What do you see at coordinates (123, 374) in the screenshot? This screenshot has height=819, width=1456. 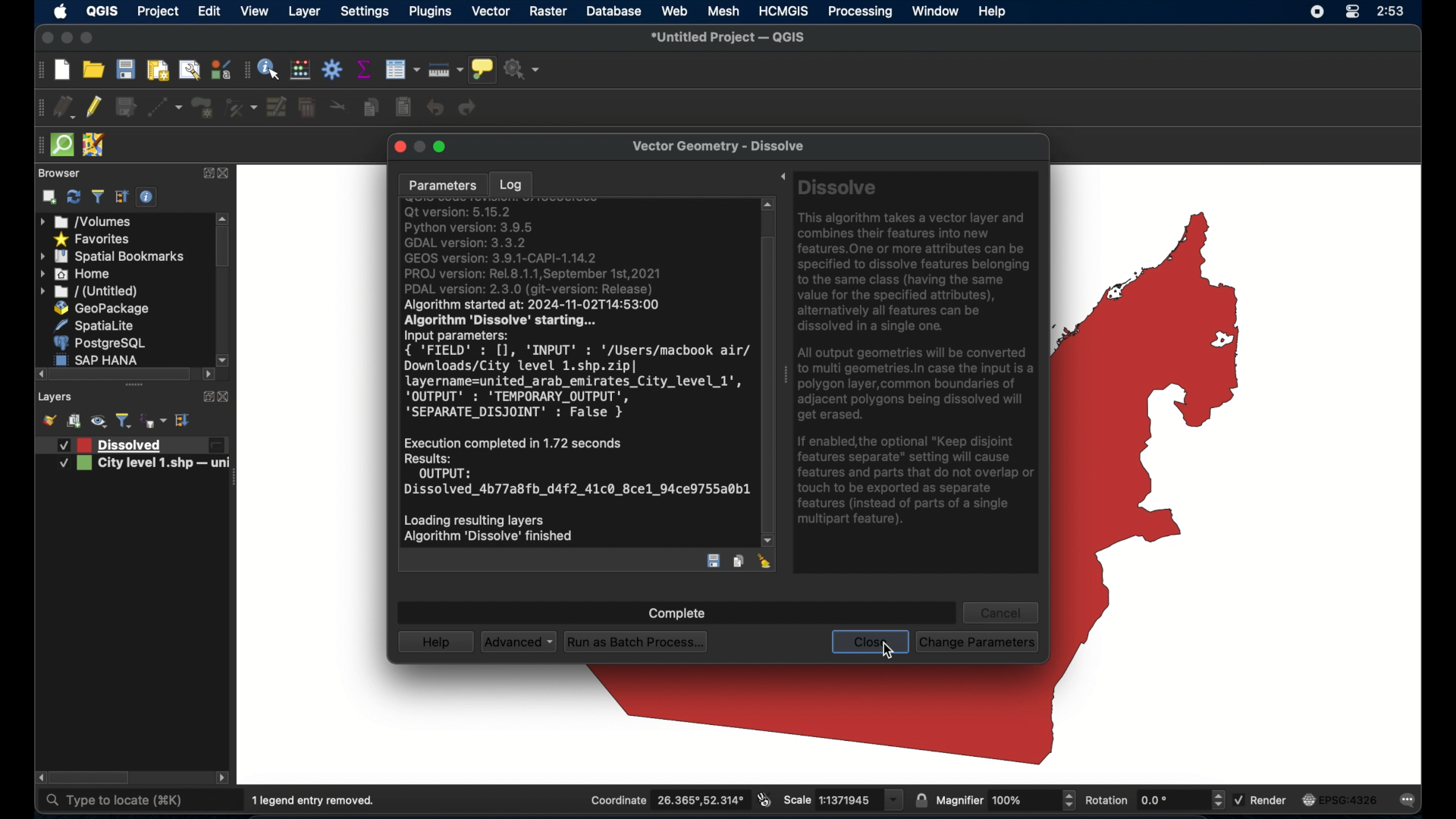 I see `scroll box` at bounding box center [123, 374].